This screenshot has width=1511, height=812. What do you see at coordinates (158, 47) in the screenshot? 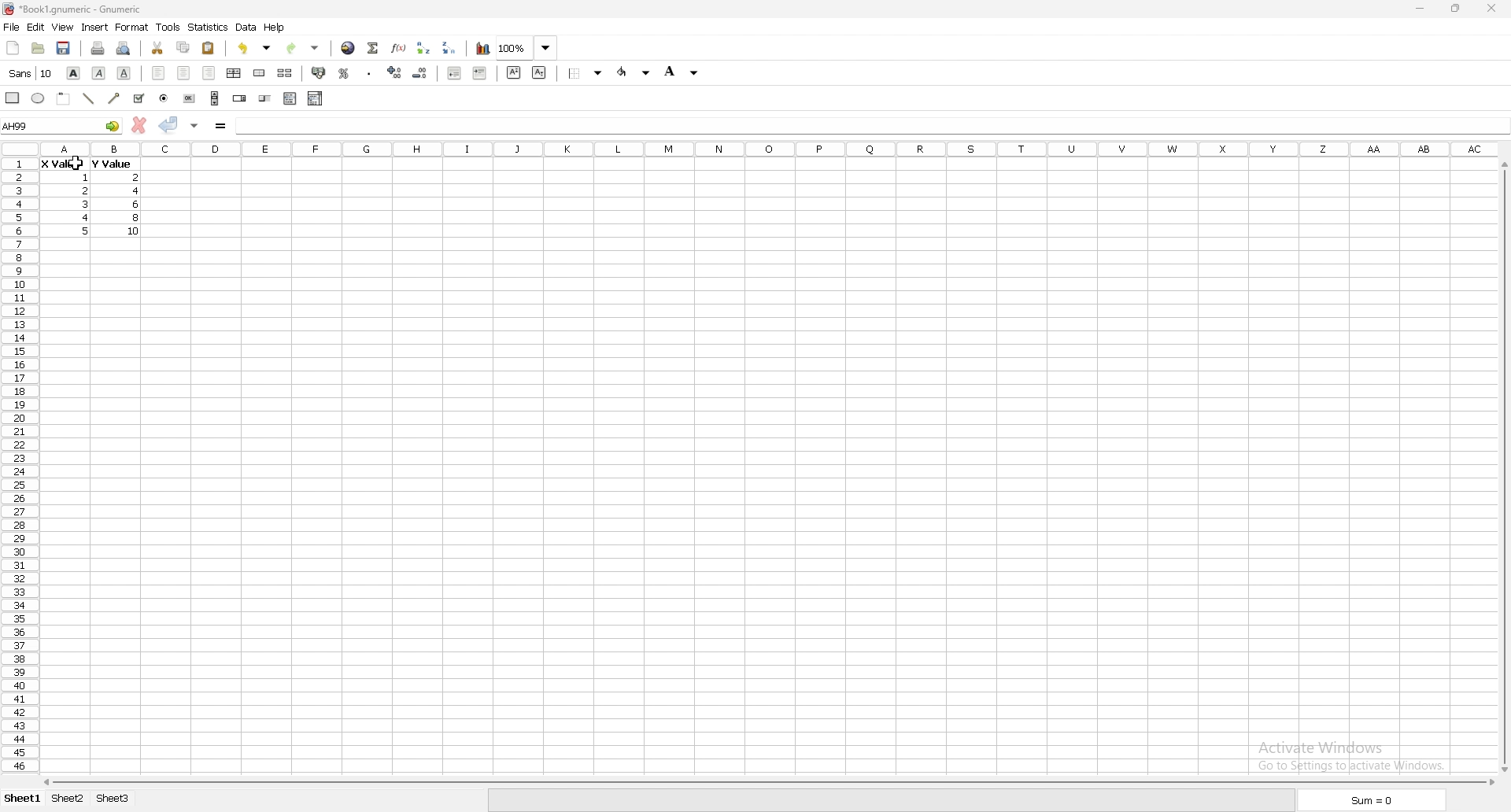
I see `cut` at bounding box center [158, 47].